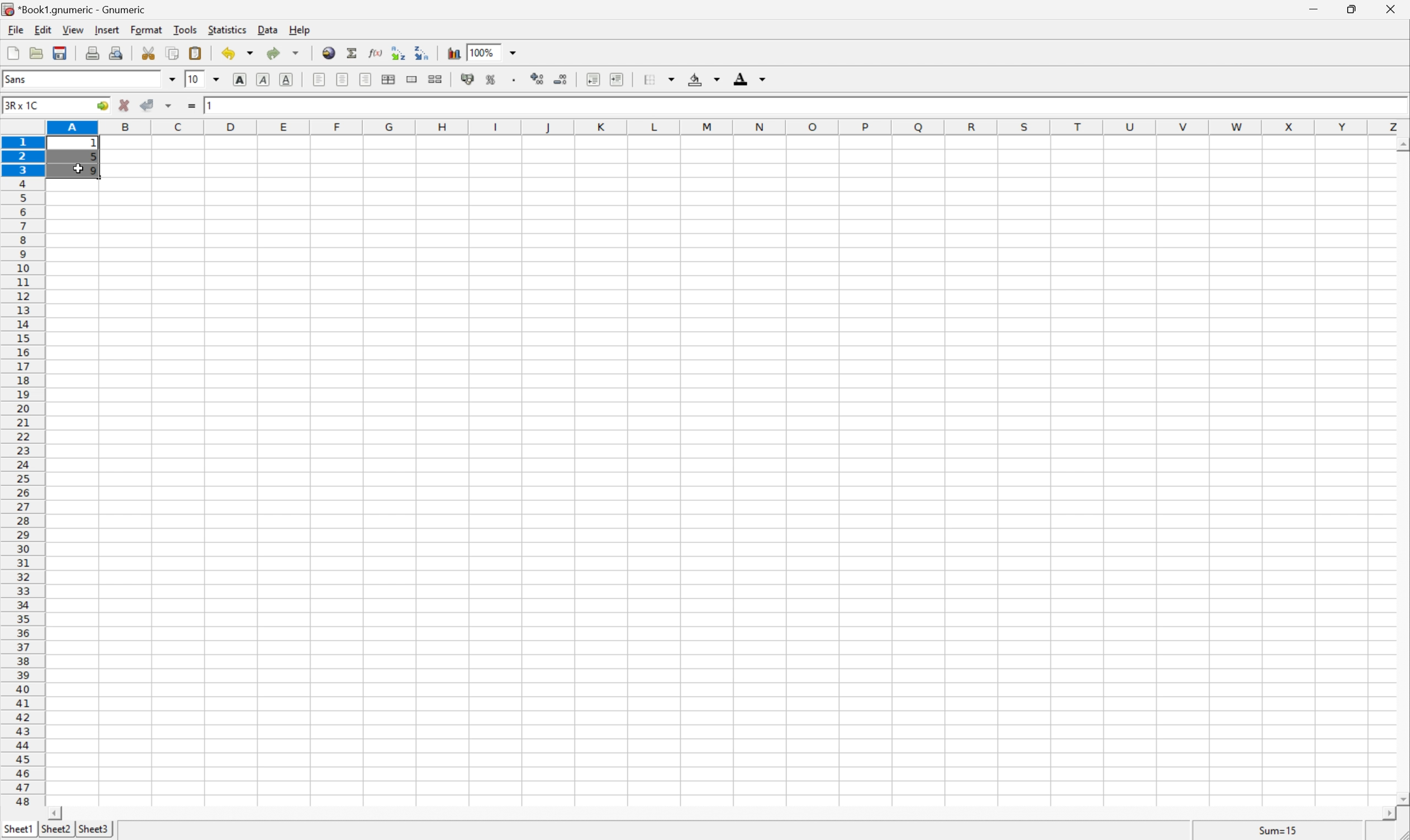  What do you see at coordinates (148, 104) in the screenshot?
I see `accept changes` at bounding box center [148, 104].